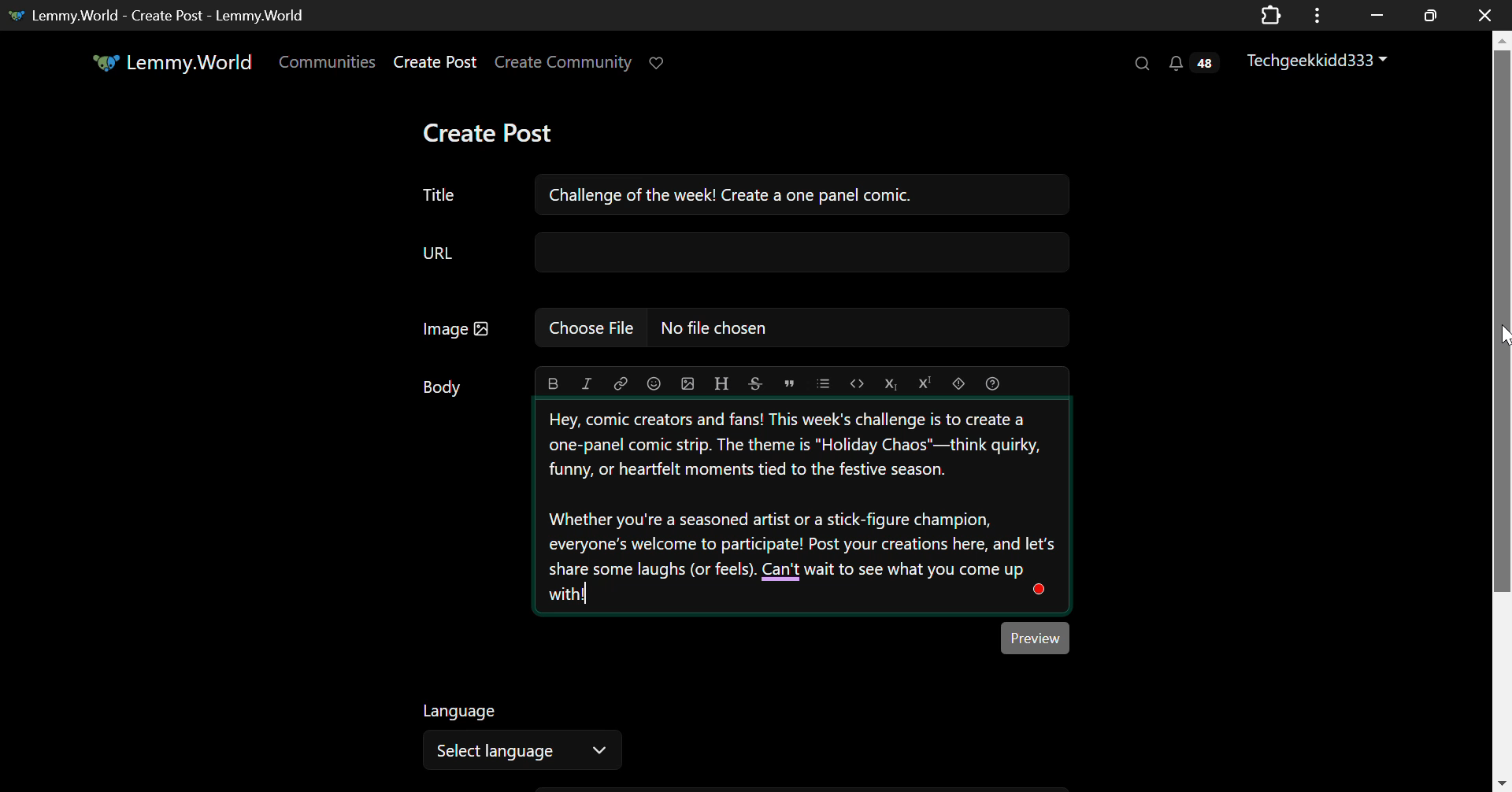 The width and height of the screenshot is (1512, 792). I want to click on Search , so click(1141, 63).